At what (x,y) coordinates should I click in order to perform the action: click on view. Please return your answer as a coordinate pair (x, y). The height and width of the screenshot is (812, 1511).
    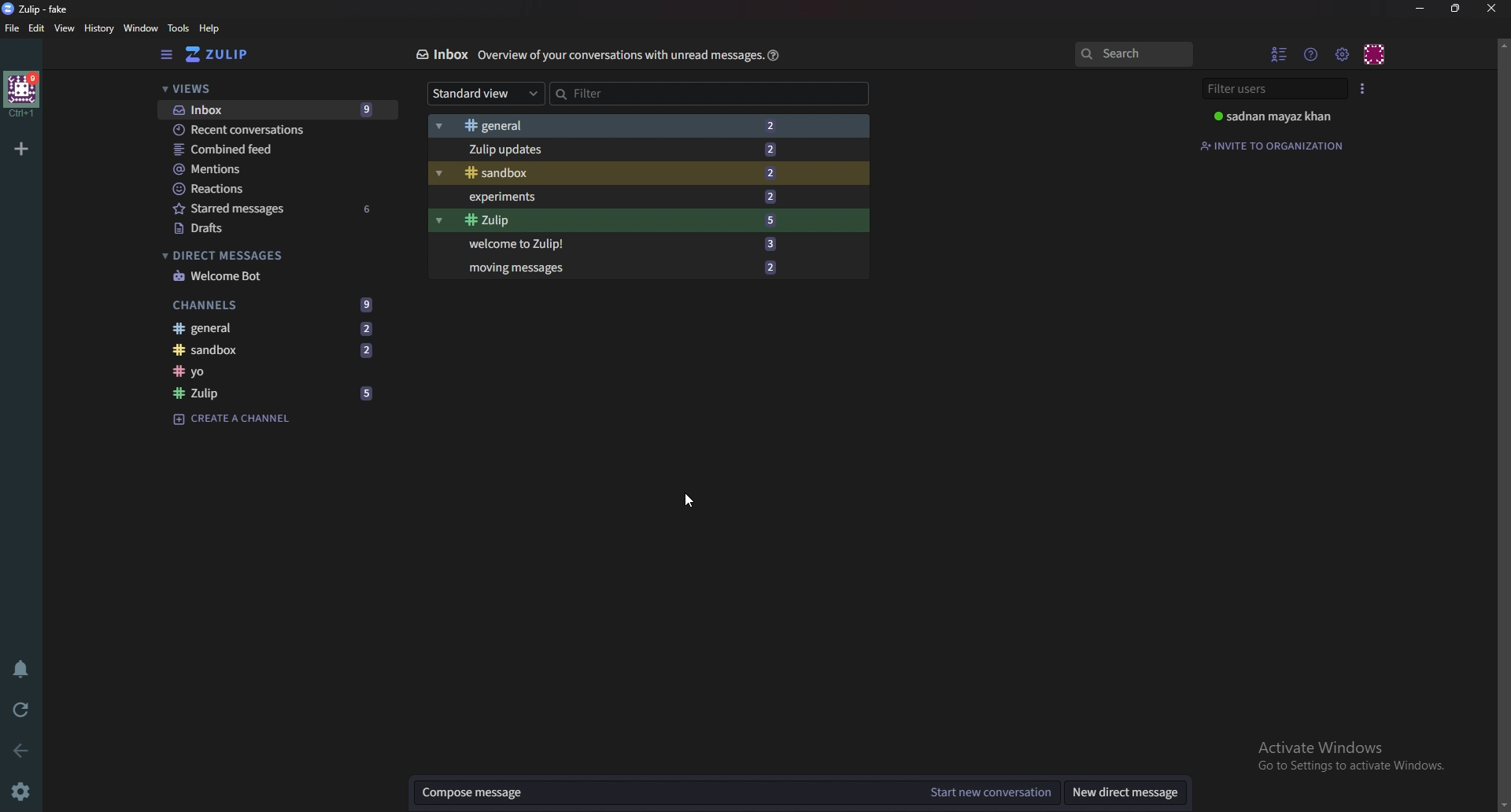
    Looking at the image, I should click on (65, 28).